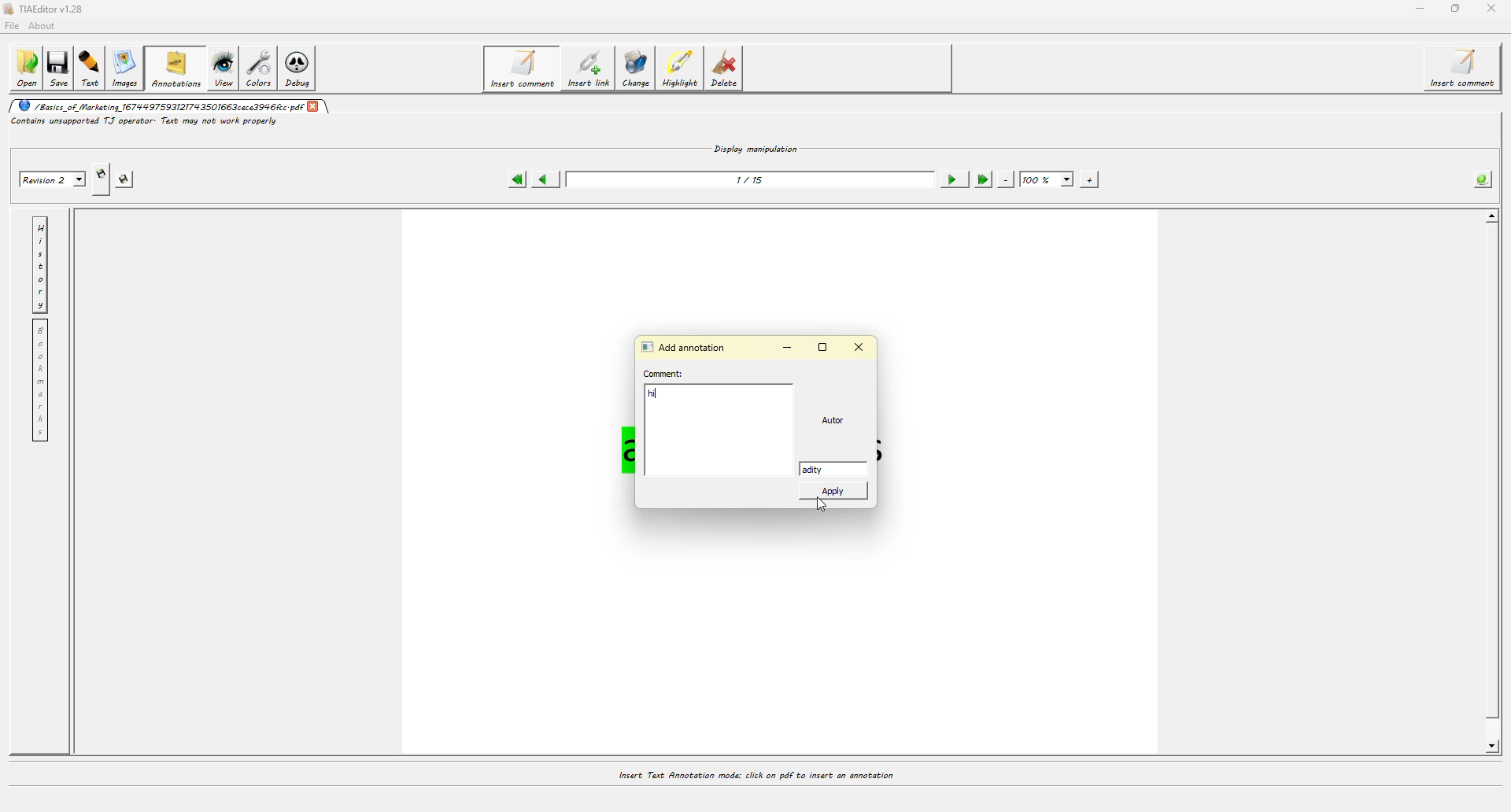  What do you see at coordinates (93, 68) in the screenshot?
I see `text` at bounding box center [93, 68].